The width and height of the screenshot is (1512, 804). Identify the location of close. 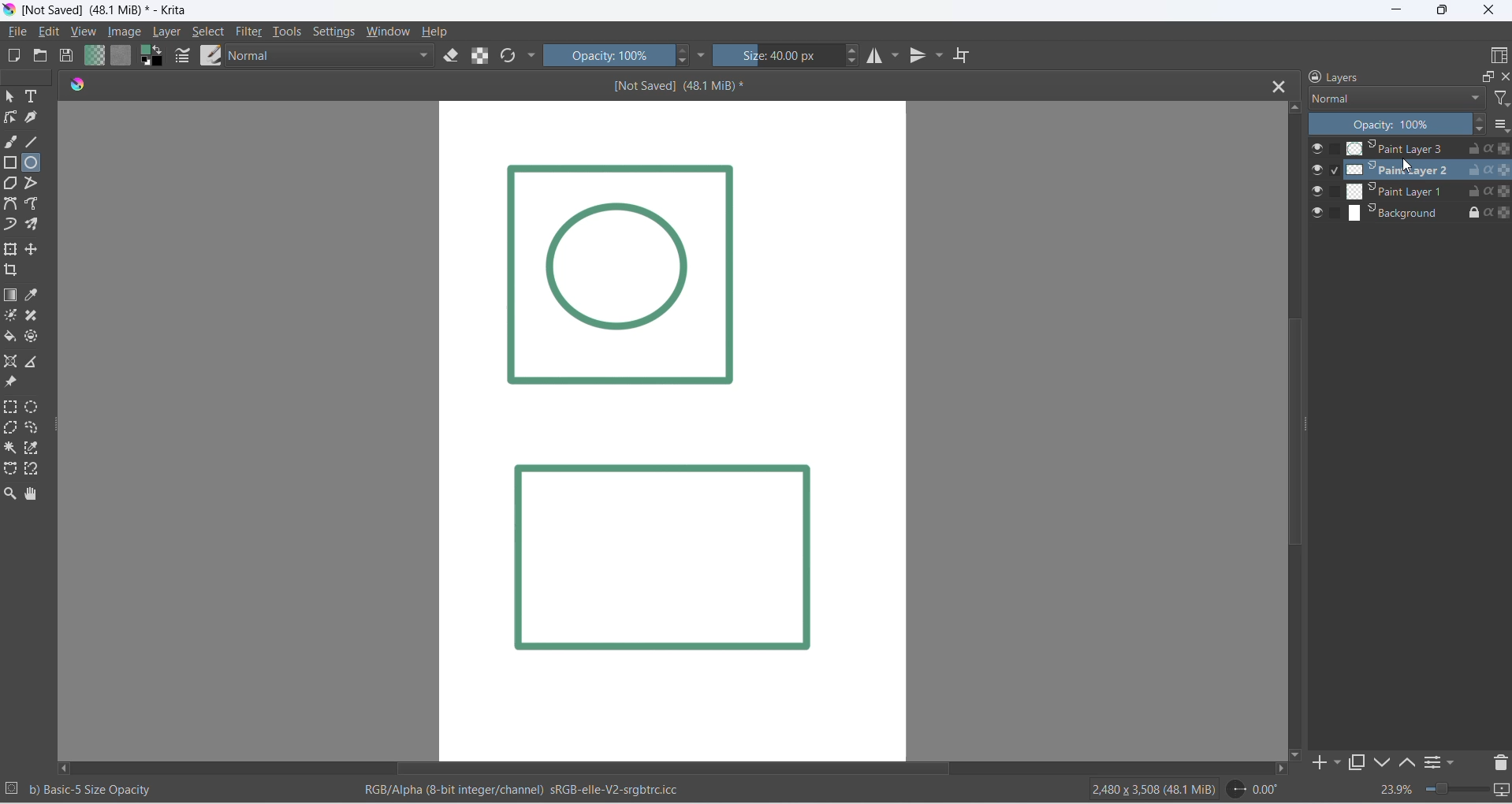
(1490, 11).